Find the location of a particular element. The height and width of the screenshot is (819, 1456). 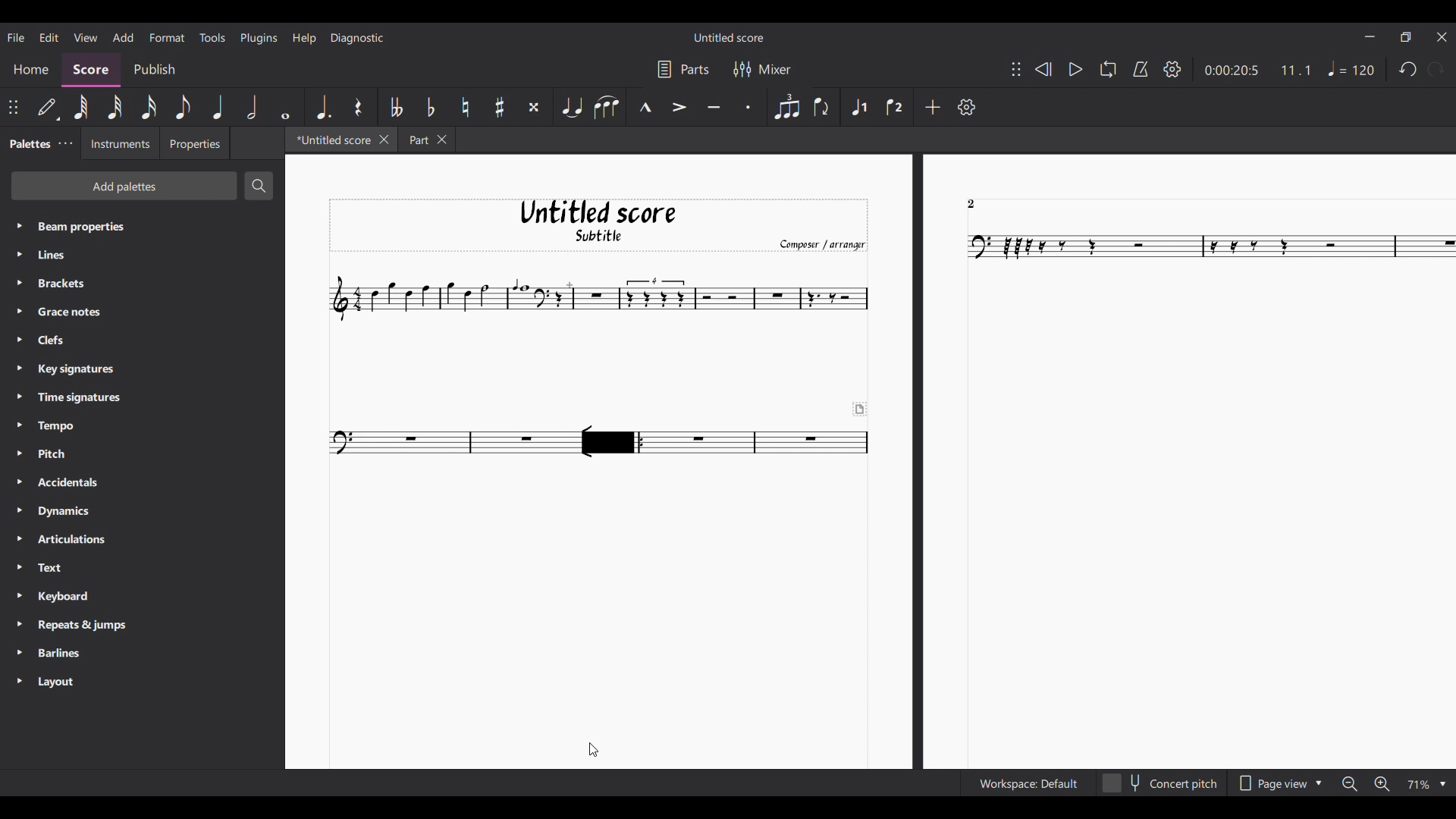

Undo is located at coordinates (1407, 69).